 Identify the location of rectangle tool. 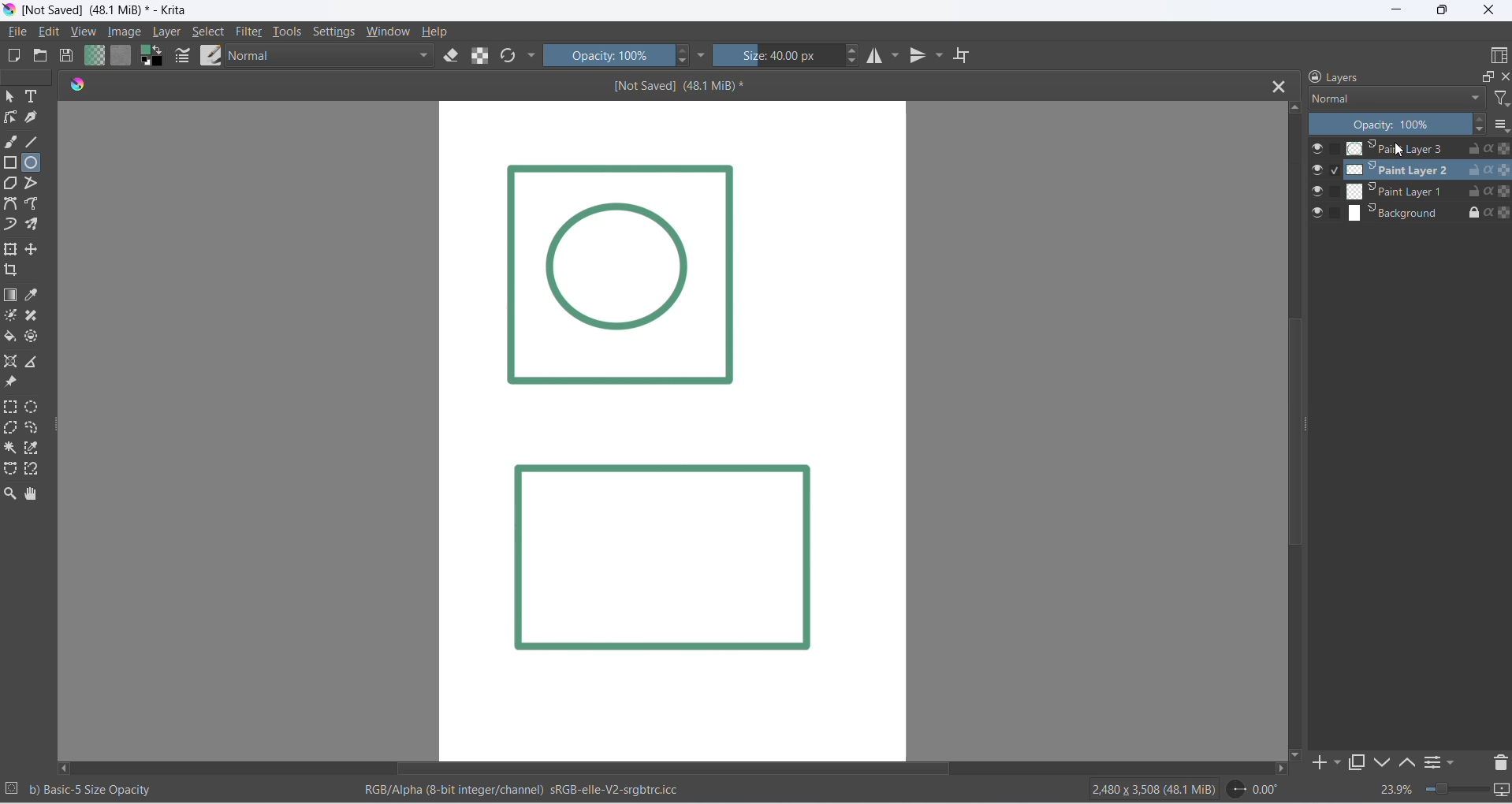
(10, 163).